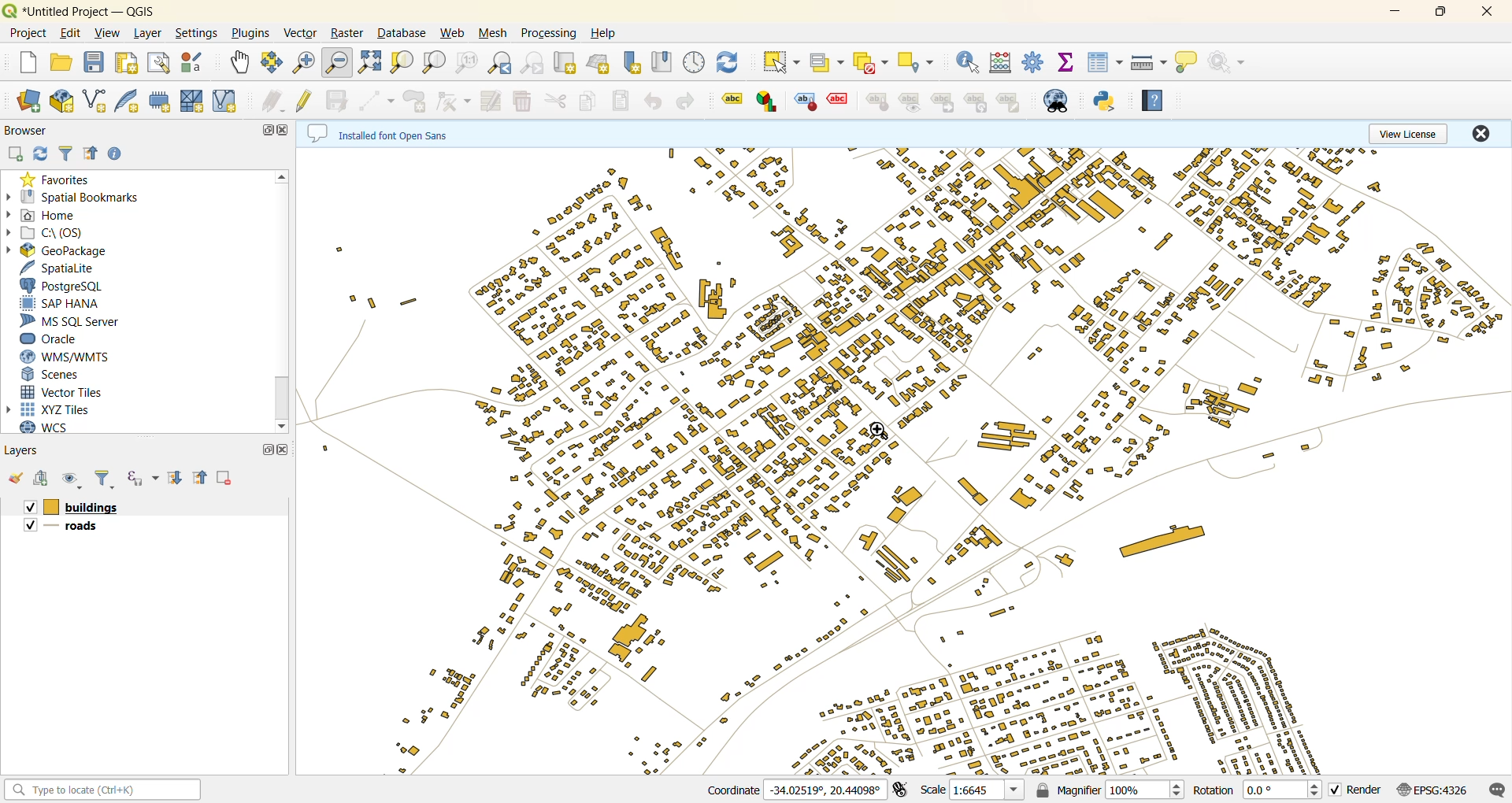  Describe the element at coordinates (622, 101) in the screenshot. I see `paste` at that location.